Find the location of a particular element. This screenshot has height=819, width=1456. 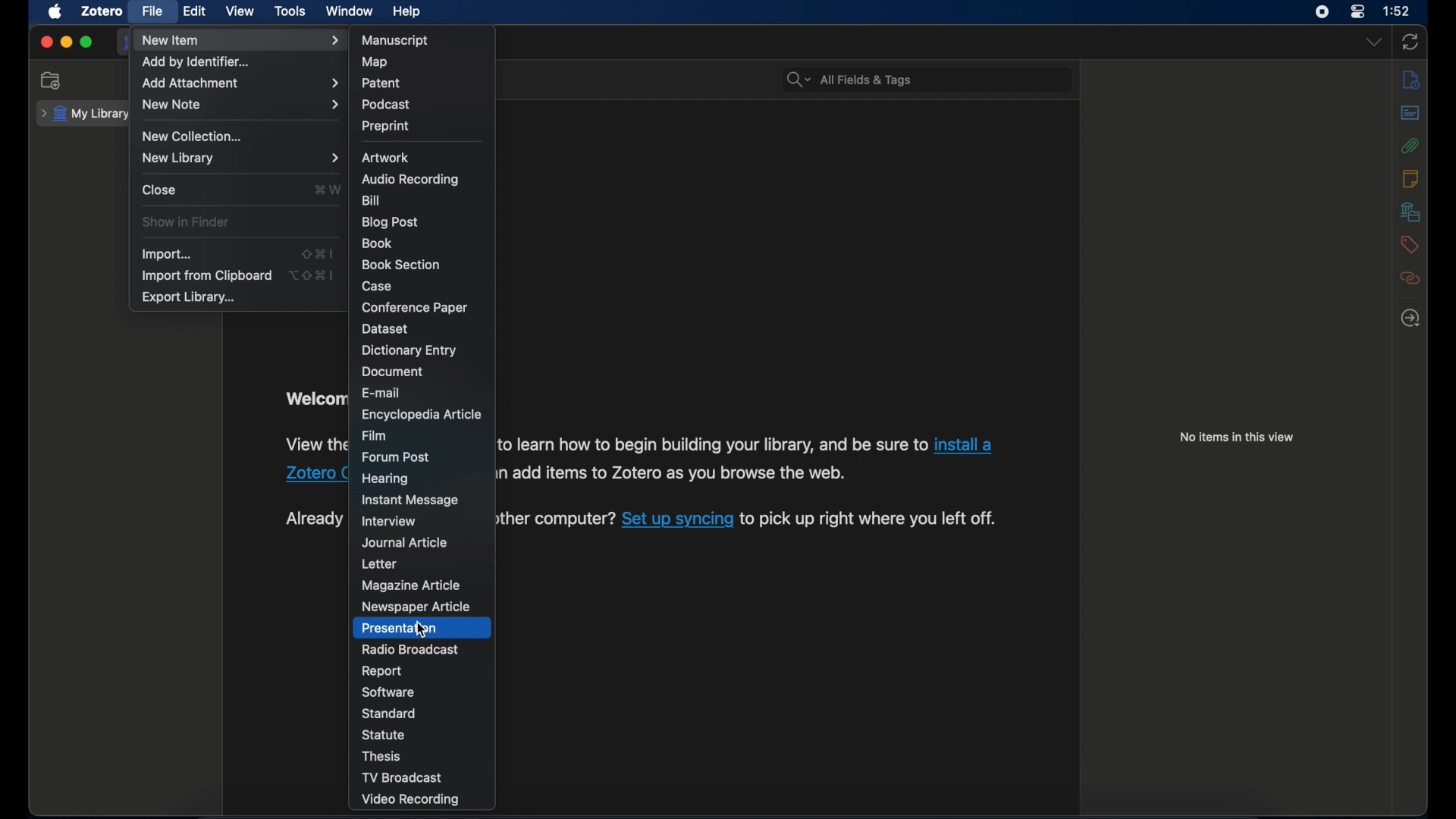

patent is located at coordinates (381, 82).